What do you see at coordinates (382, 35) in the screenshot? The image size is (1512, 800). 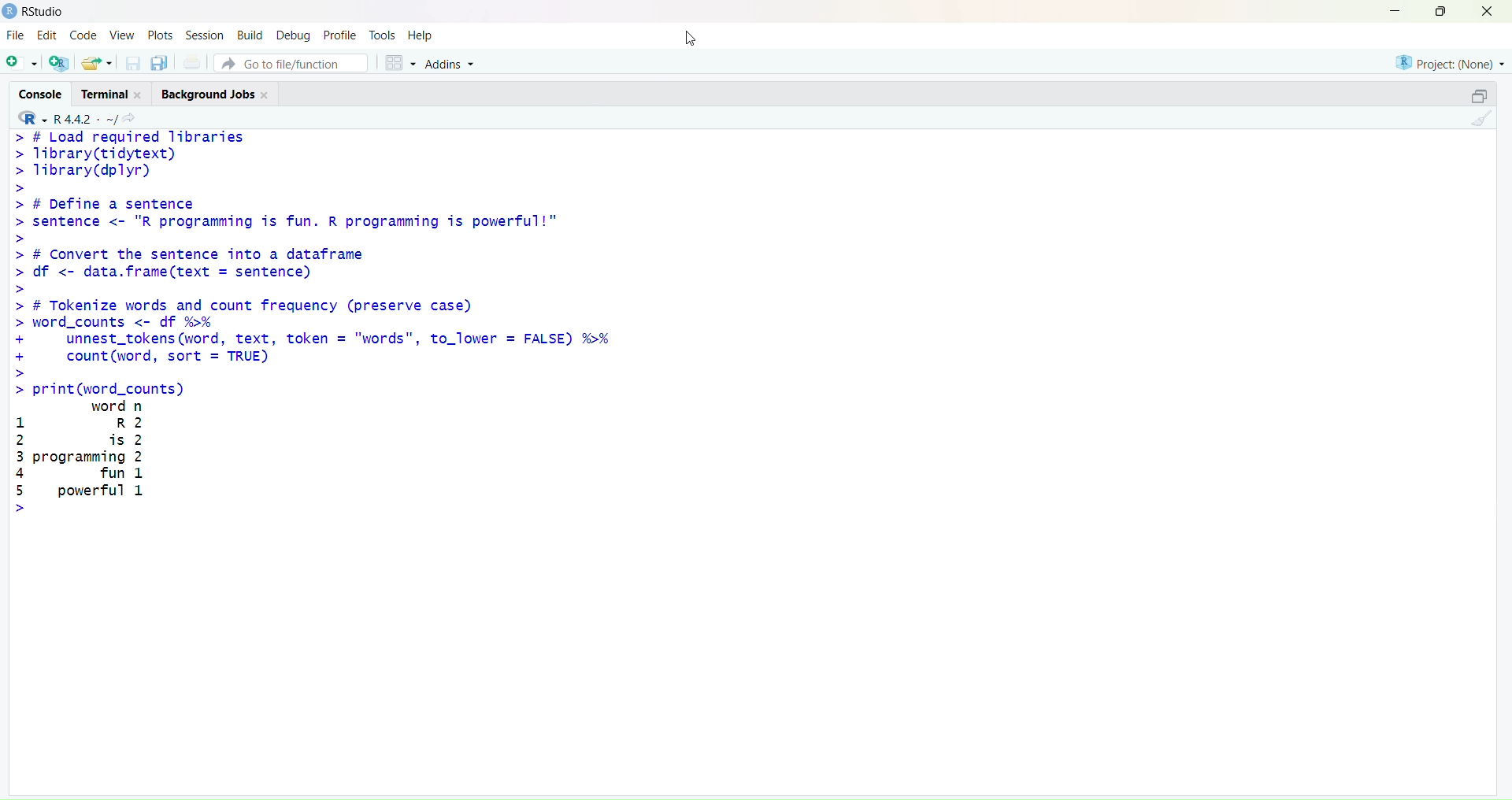 I see `tools` at bounding box center [382, 35].